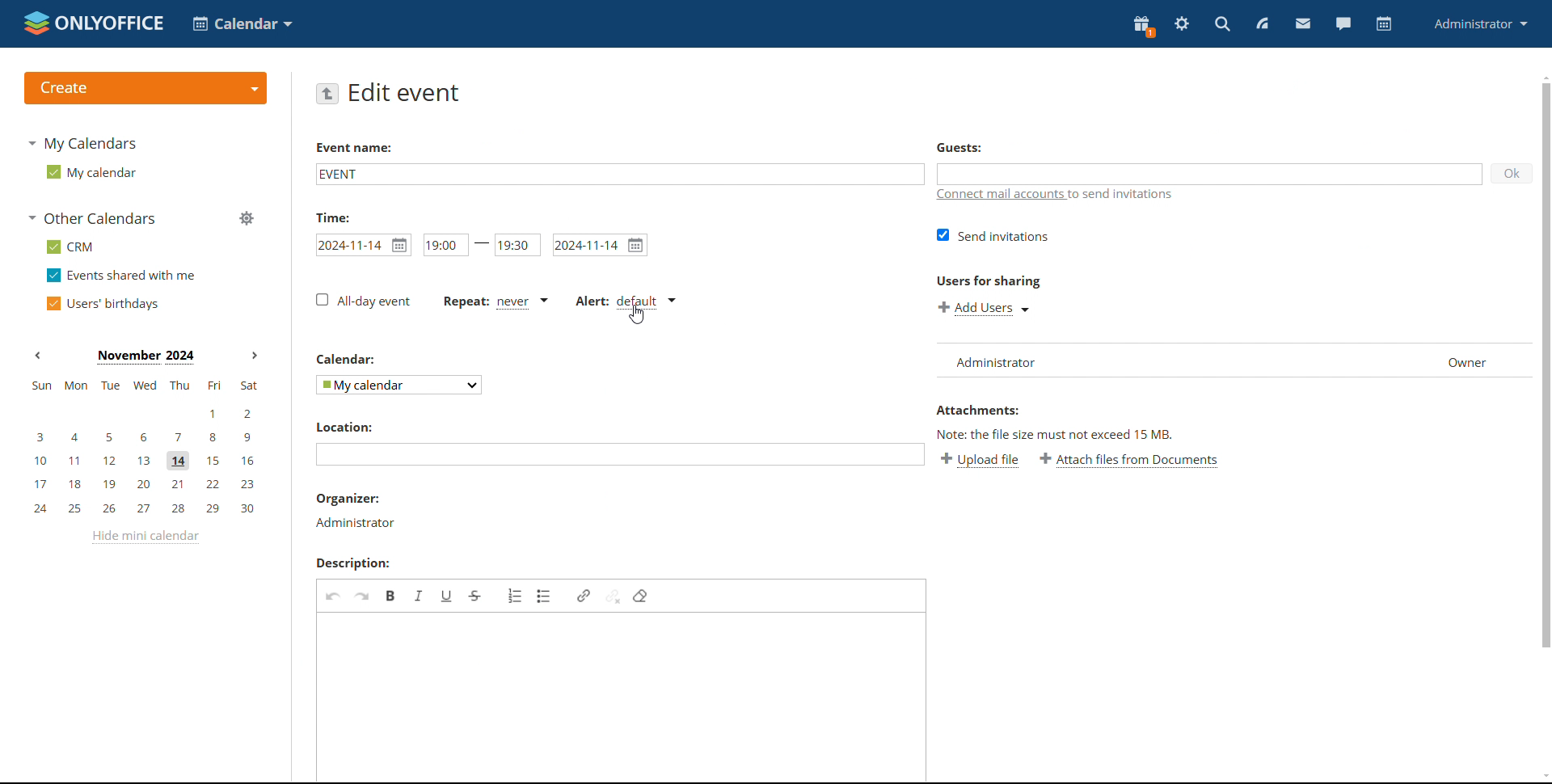 Image resolution: width=1552 pixels, height=784 pixels. I want to click on all-day event checkbox, so click(361, 301).